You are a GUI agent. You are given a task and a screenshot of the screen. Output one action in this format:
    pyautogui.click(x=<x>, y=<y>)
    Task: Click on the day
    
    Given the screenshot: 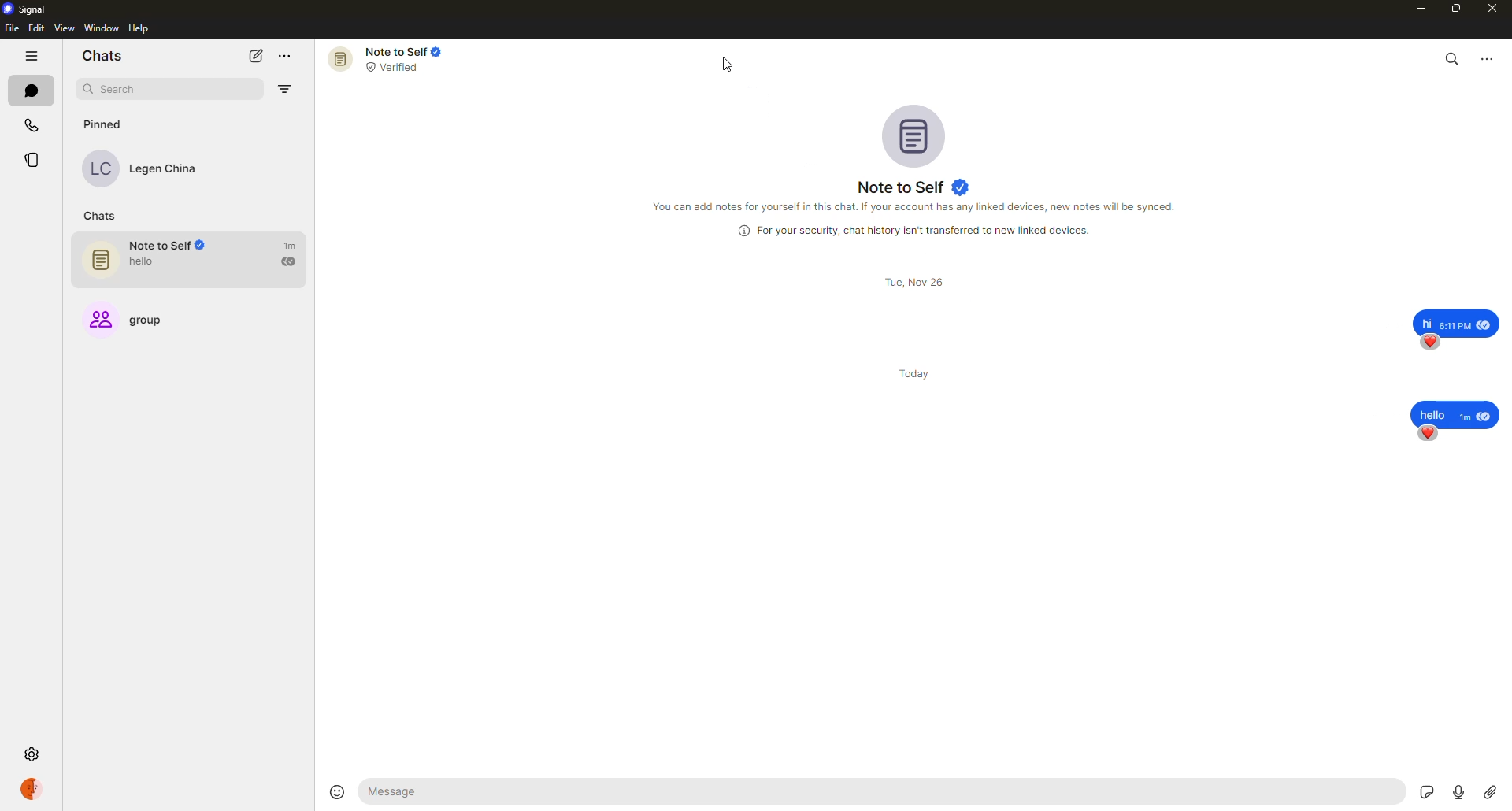 What is the action you would take?
    pyautogui.click(x=917, y=282)
    